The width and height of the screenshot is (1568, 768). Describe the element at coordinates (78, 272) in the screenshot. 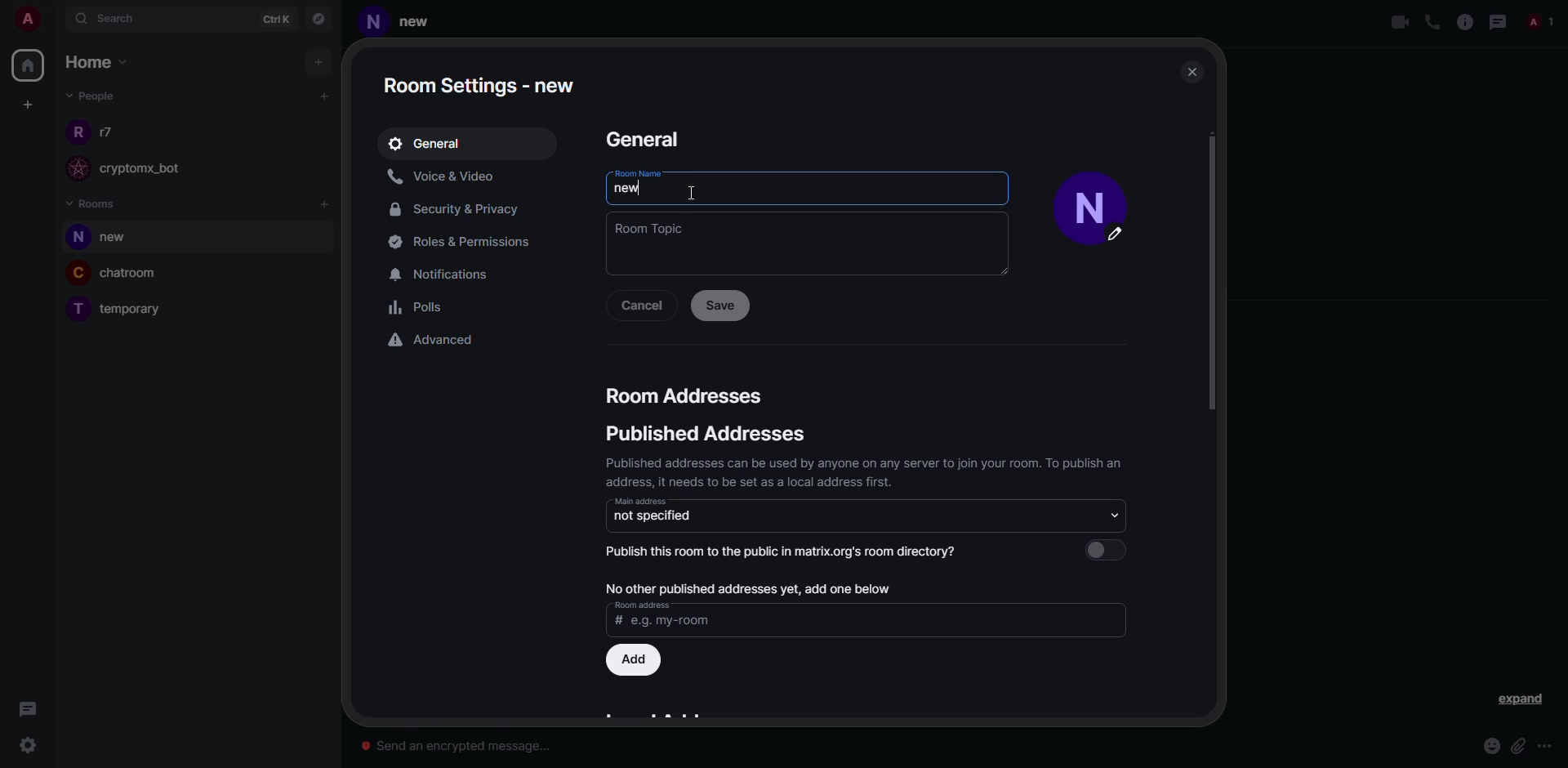

I see `profile image` at that location.